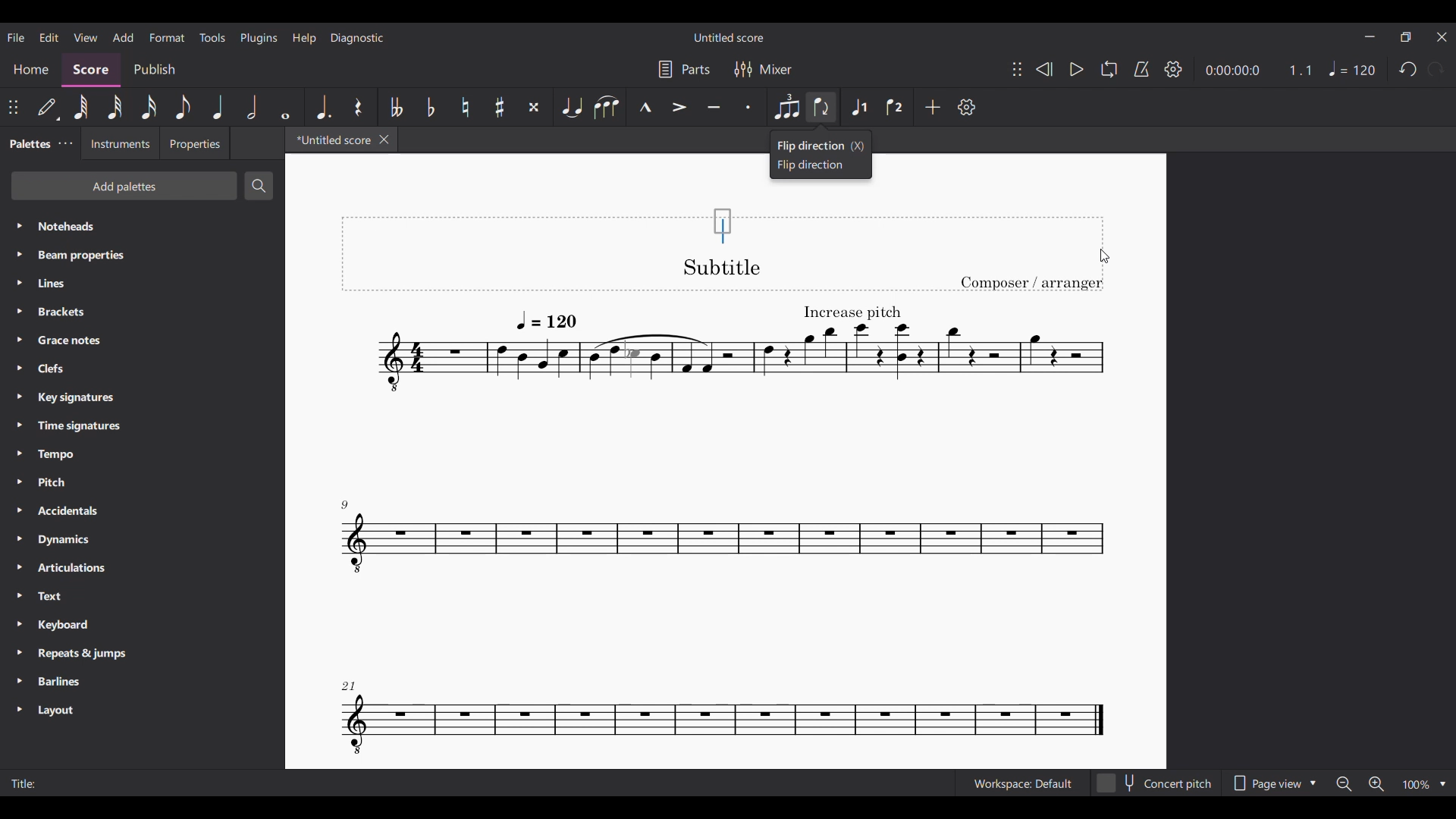  Describe the element at coordinates (304, 39) in the screenshot. I see `Help menu` at that location.